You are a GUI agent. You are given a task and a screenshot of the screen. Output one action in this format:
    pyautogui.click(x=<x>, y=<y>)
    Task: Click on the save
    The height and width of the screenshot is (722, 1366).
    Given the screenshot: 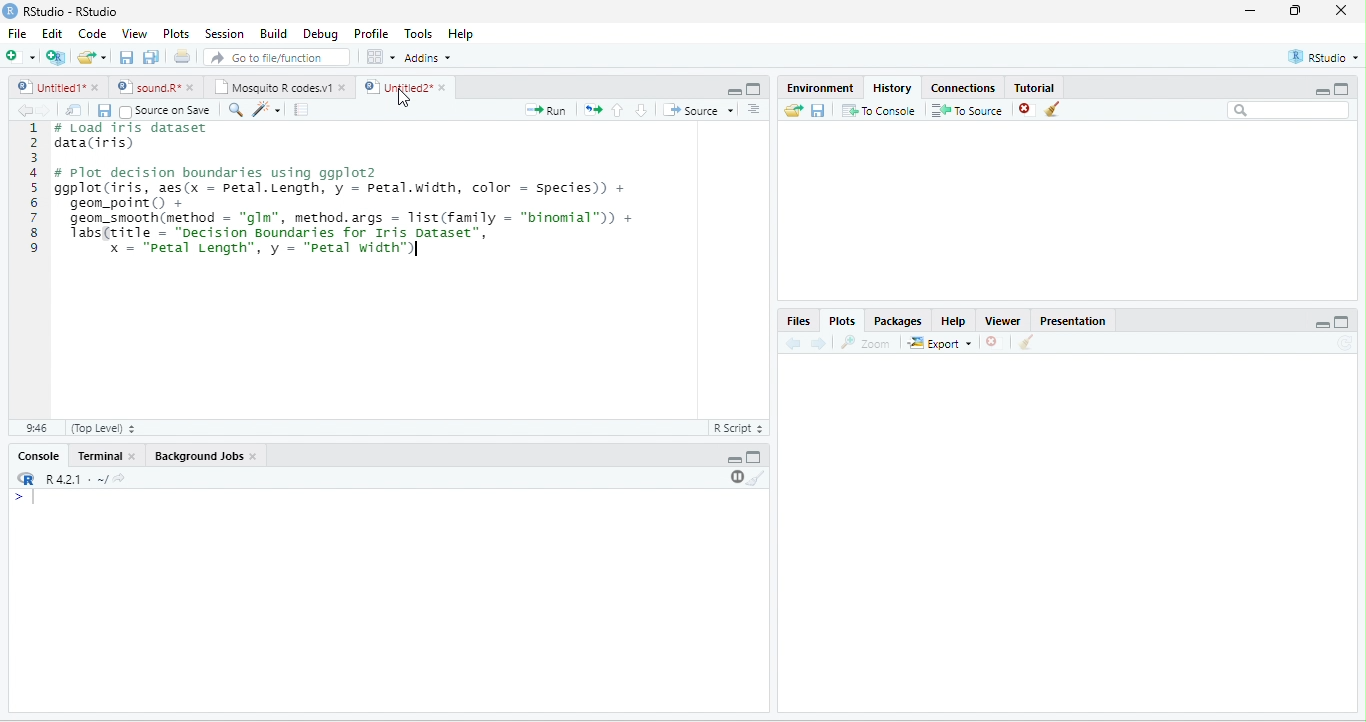 What is the action you would take?
    pyautogui.click(x=126, y=57)
    